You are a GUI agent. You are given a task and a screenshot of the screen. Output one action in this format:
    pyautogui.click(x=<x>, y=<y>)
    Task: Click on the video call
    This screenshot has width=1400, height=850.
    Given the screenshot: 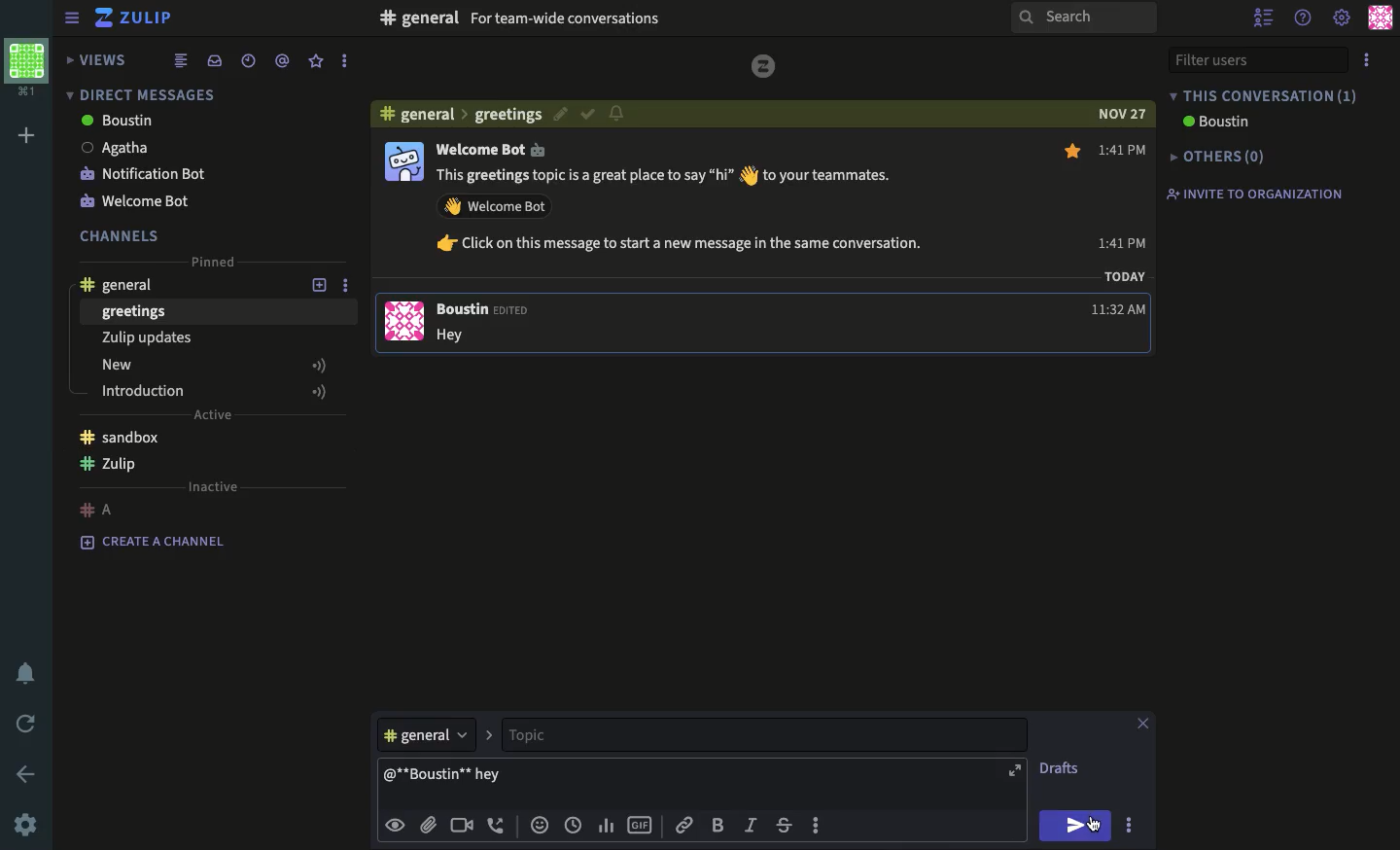 What is the action you would take?
    pyautogui.click(x=464, y=826)
    